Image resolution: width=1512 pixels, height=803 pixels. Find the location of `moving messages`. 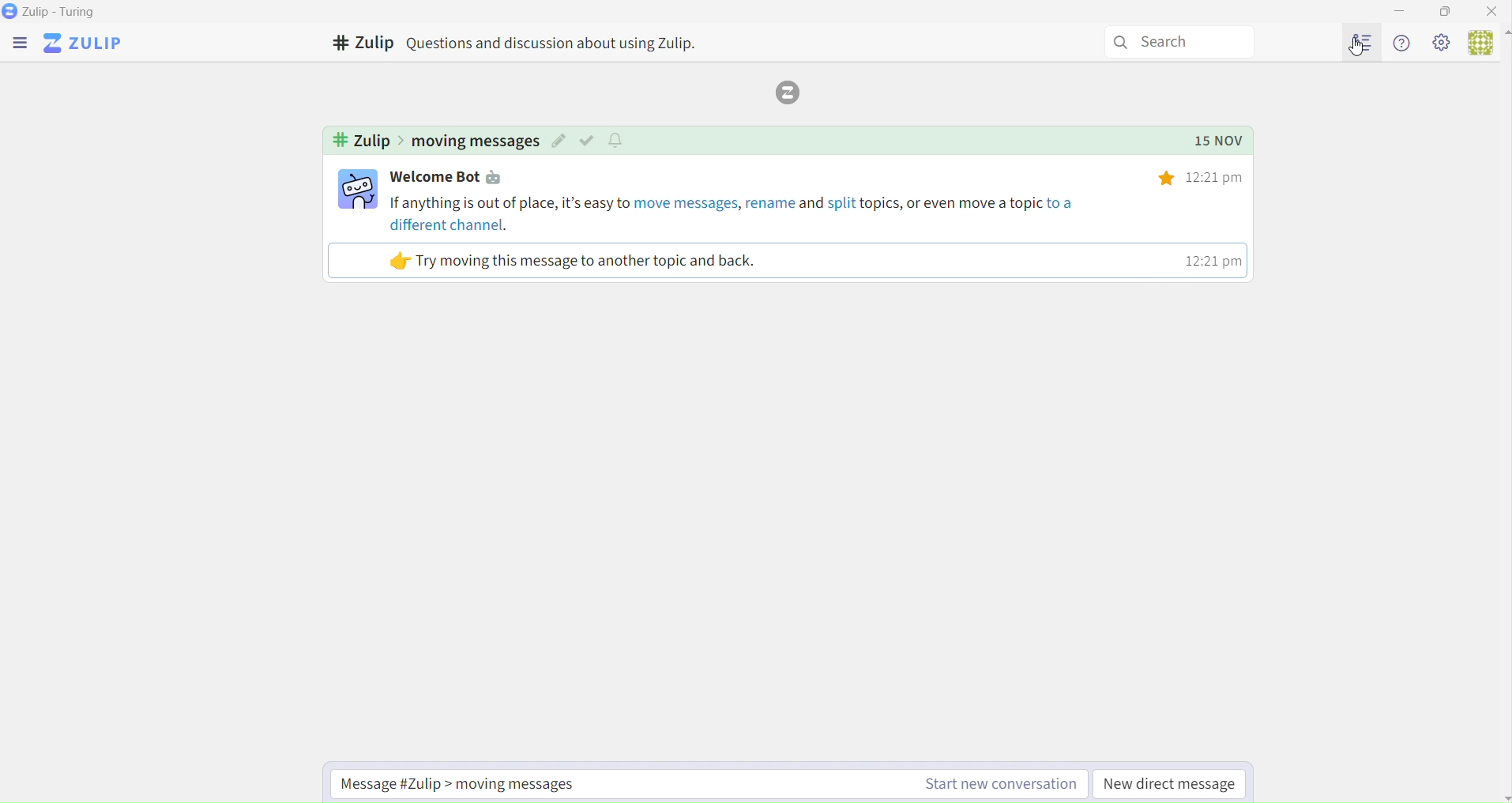

moving messages is located at coordinates (475, 141).